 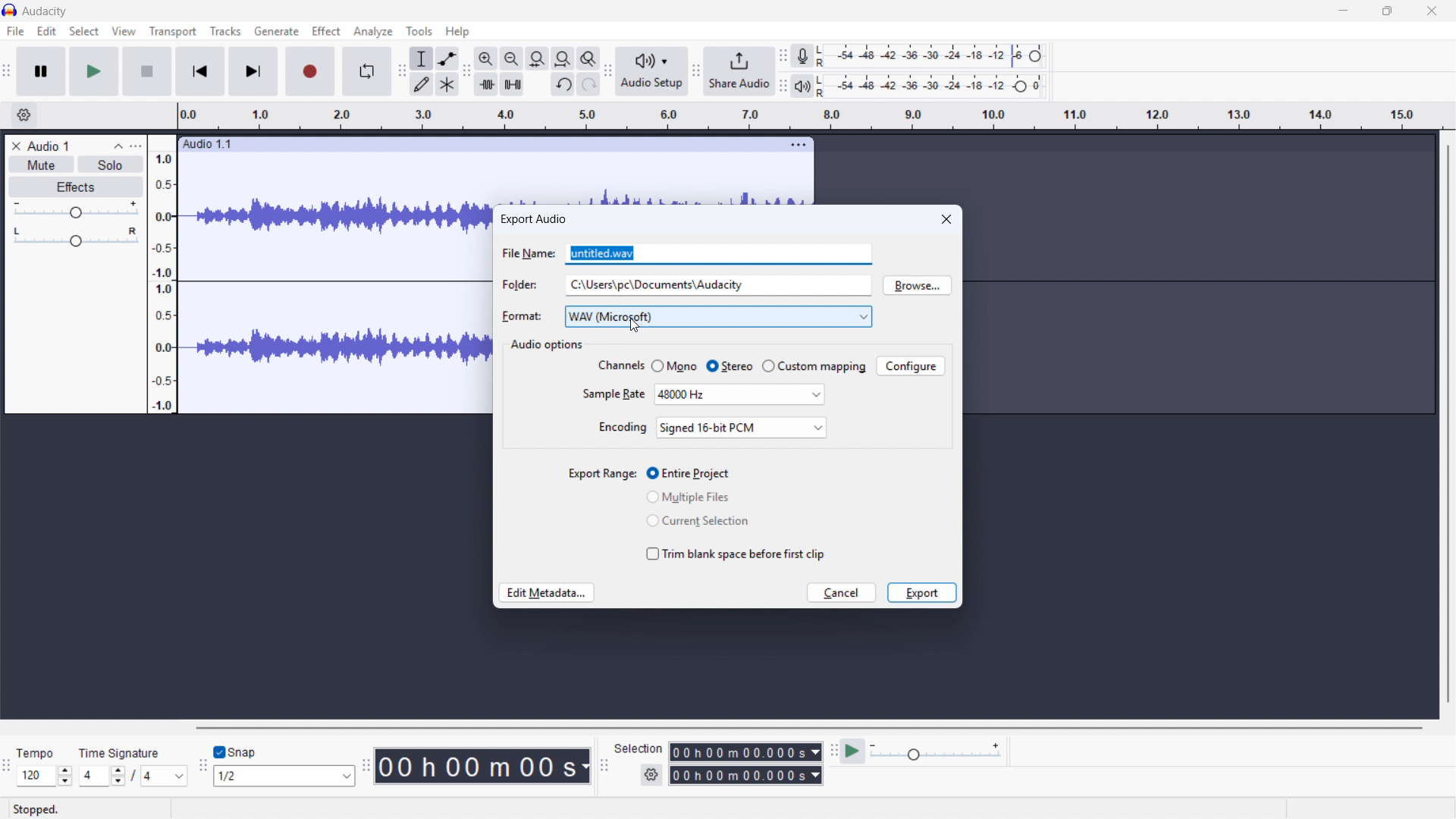 I want to click on Remove track , so click(x=17, y=146).